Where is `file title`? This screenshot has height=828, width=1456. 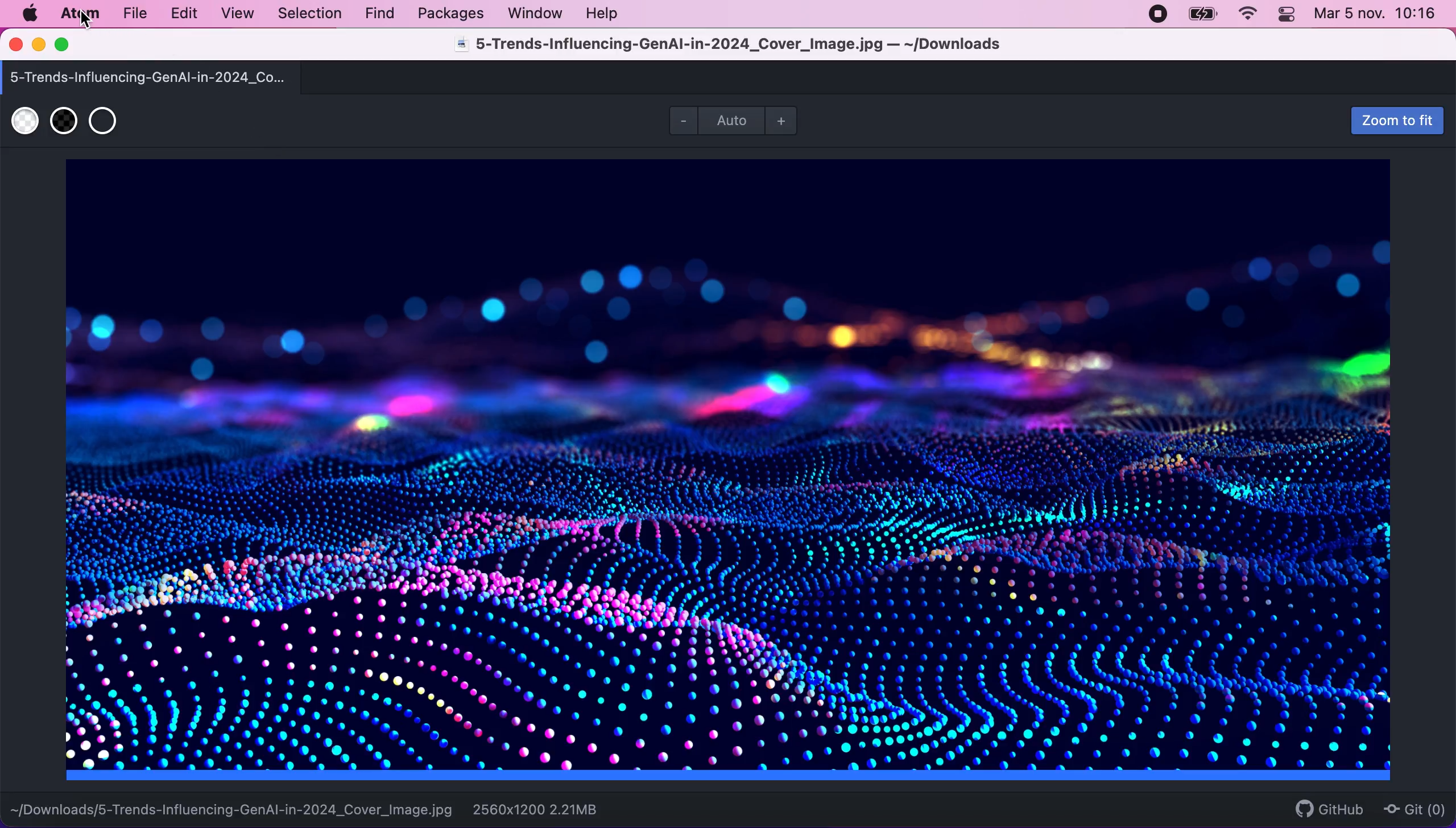 file title is located at coordinates (755, 47).